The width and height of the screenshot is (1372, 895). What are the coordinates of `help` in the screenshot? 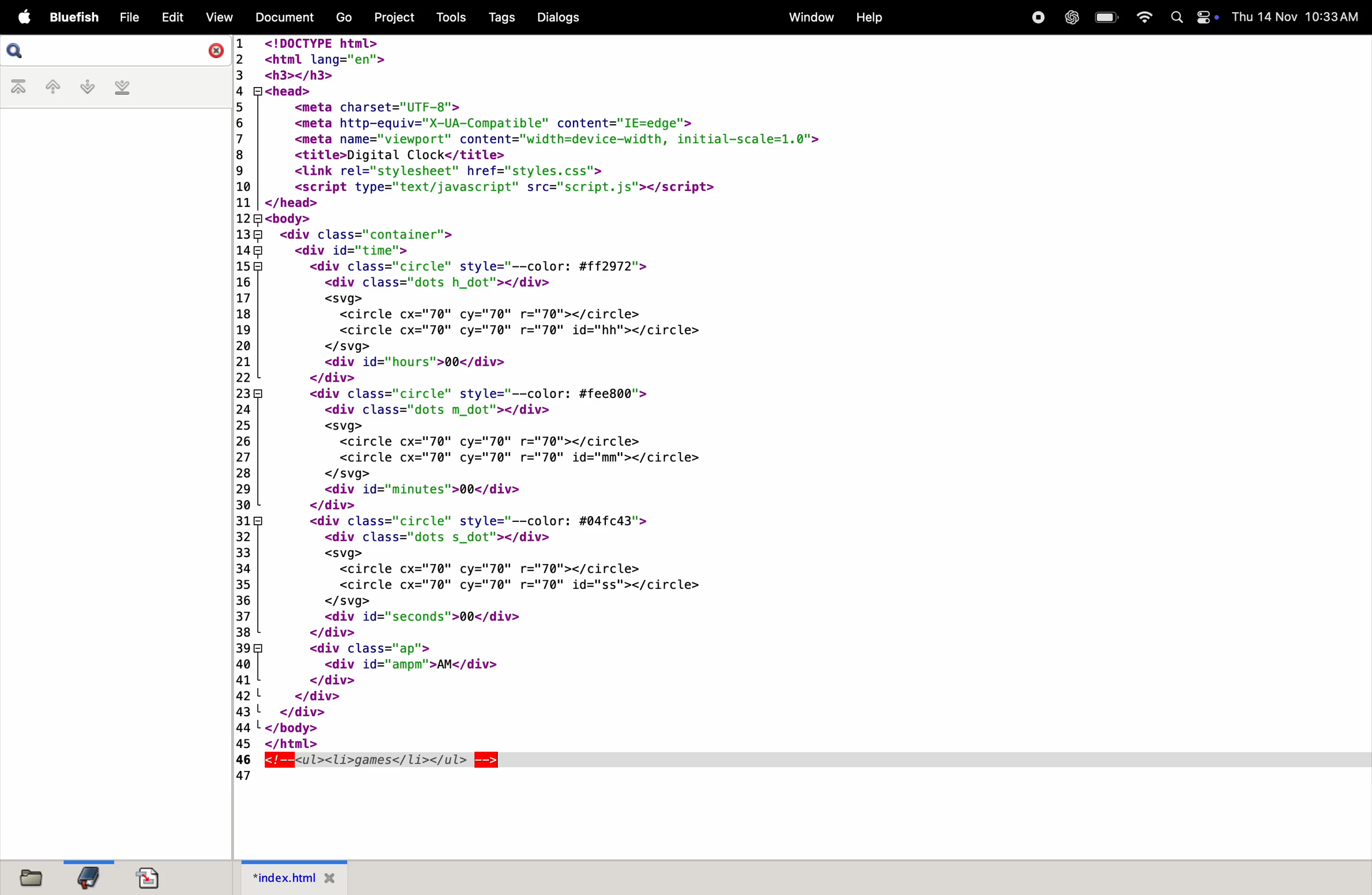 It's located at (872, 16).